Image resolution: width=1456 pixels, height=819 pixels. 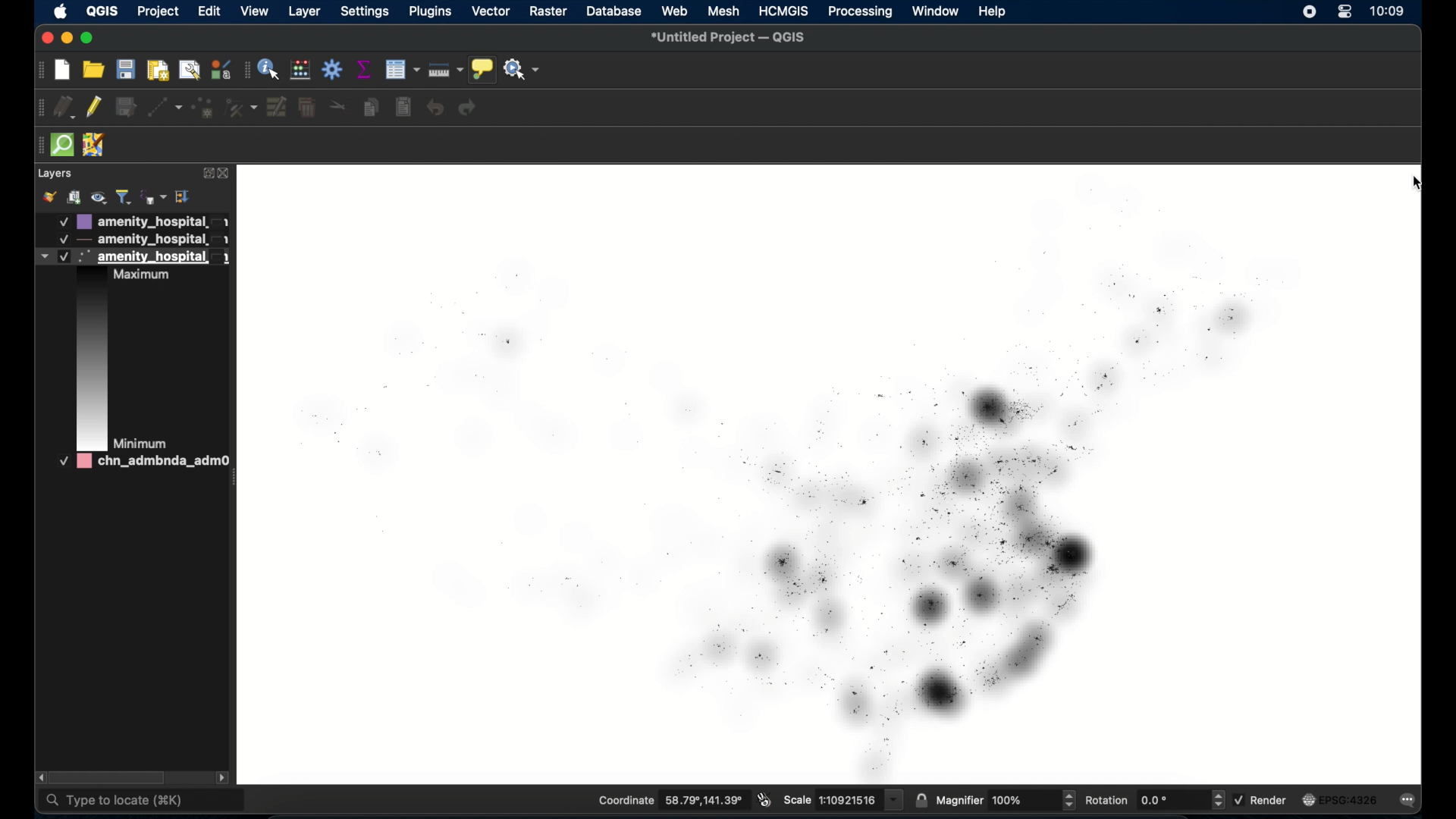 What do you see at coordinates (45, 39) in the screenshot?
I see `close` at bounding box center [45, 39].